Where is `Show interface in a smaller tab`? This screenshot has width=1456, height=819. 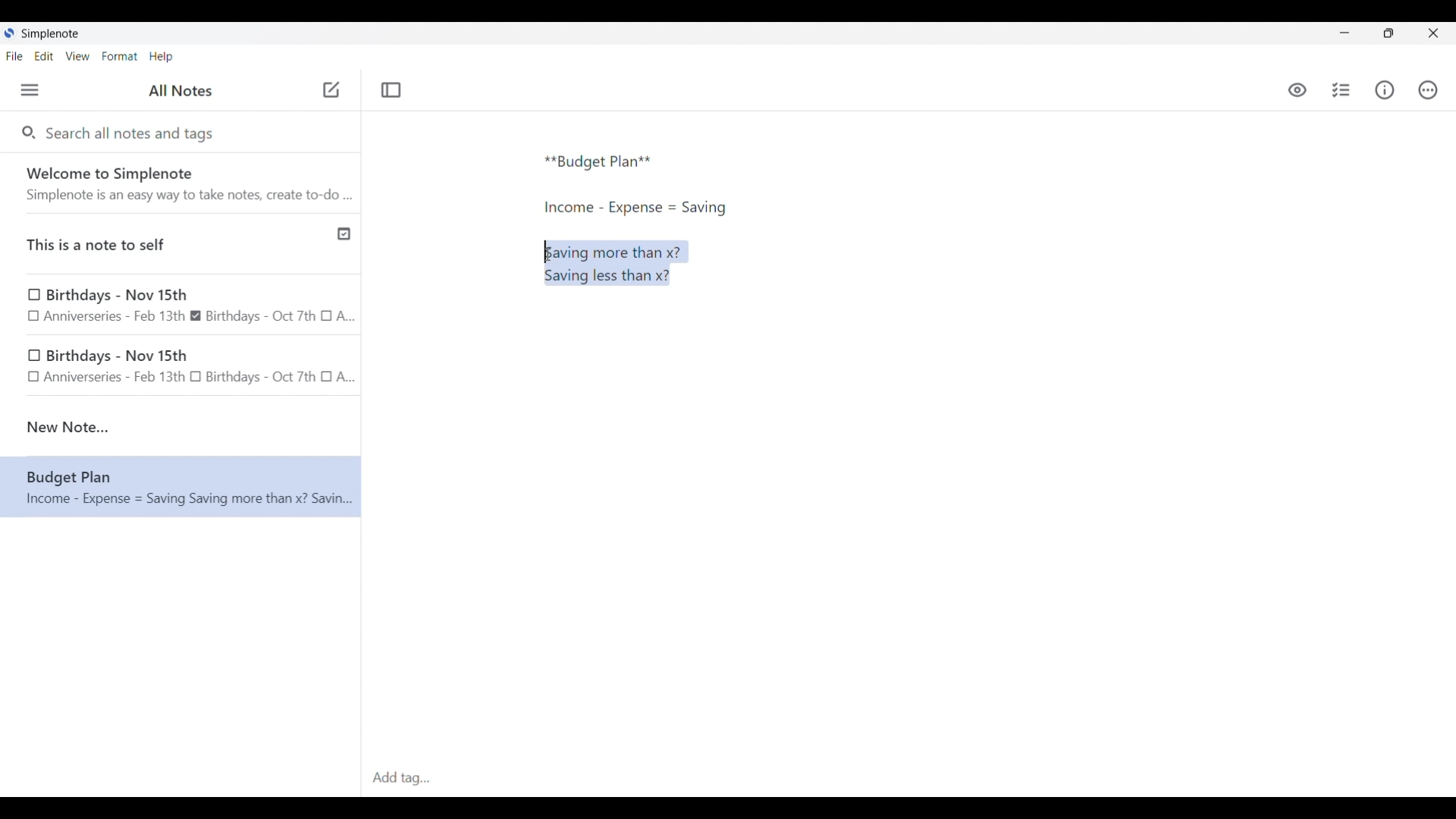
Show interface in a smaller tab is located at coordinates (1389, 33).